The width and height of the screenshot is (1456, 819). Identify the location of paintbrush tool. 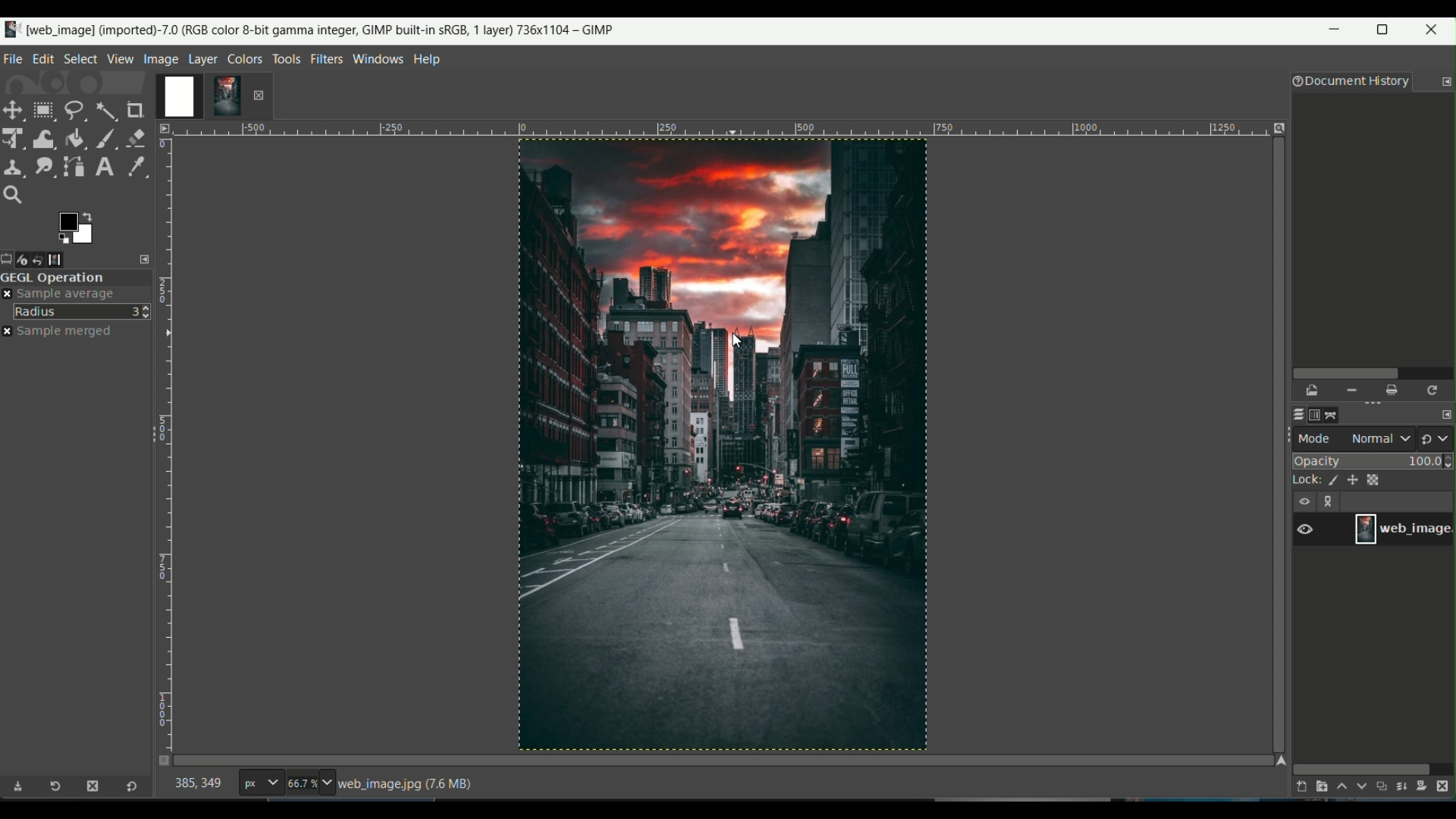
(105, 137).